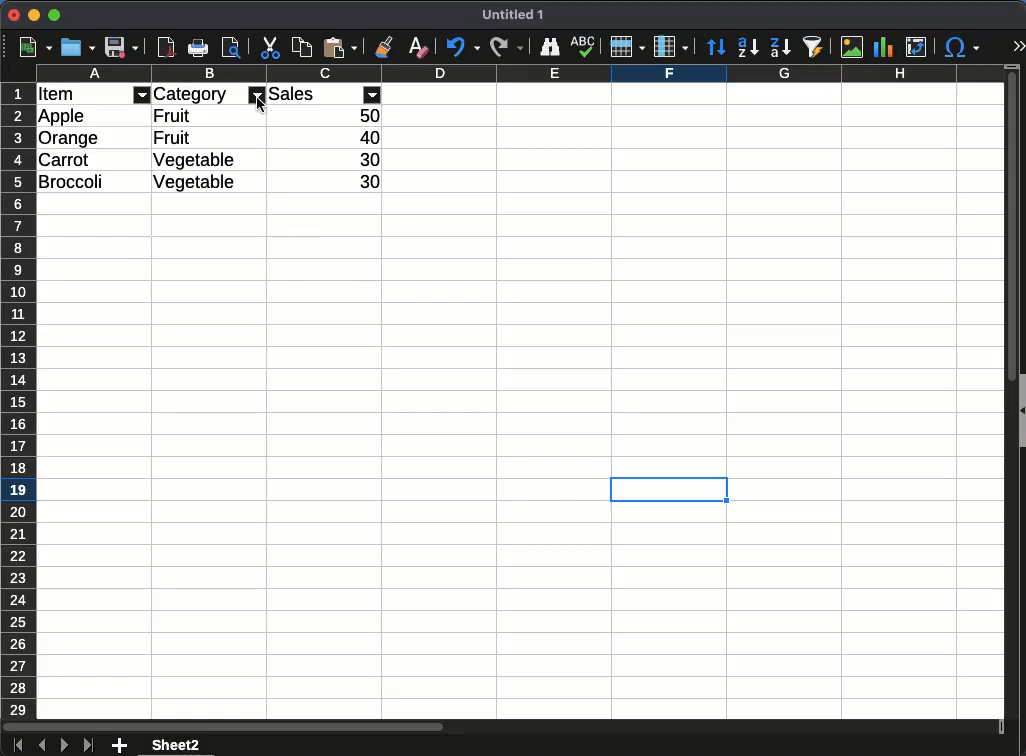  Describe the element at coordinates (669, 490) in the screenshot. I see `cell selection` at that location.